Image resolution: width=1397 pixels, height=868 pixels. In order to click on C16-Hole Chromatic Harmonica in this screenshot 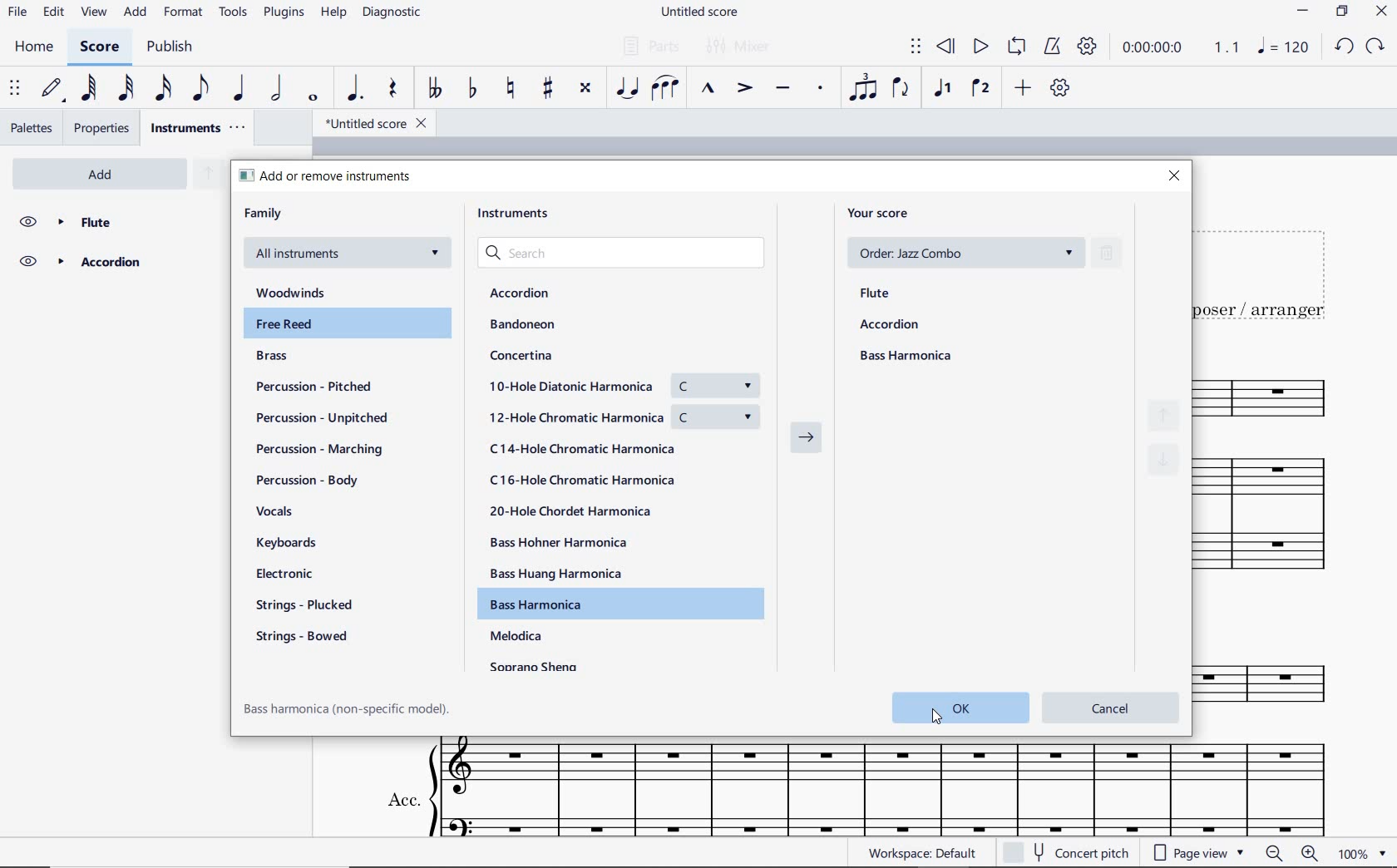, I will do `click(583, 479)`.